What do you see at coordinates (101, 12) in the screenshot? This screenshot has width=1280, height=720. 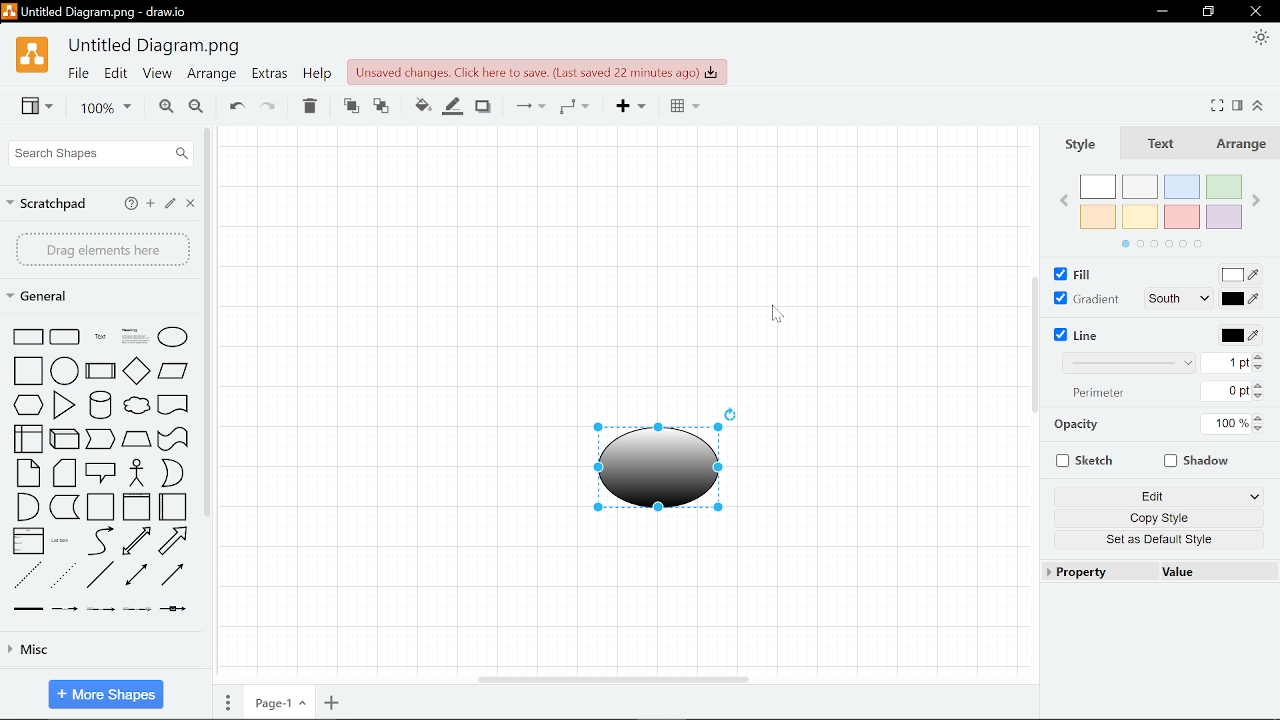 I see `Window name - Untitled Diagram.png - draw.io` at bounding box center [101, 12].